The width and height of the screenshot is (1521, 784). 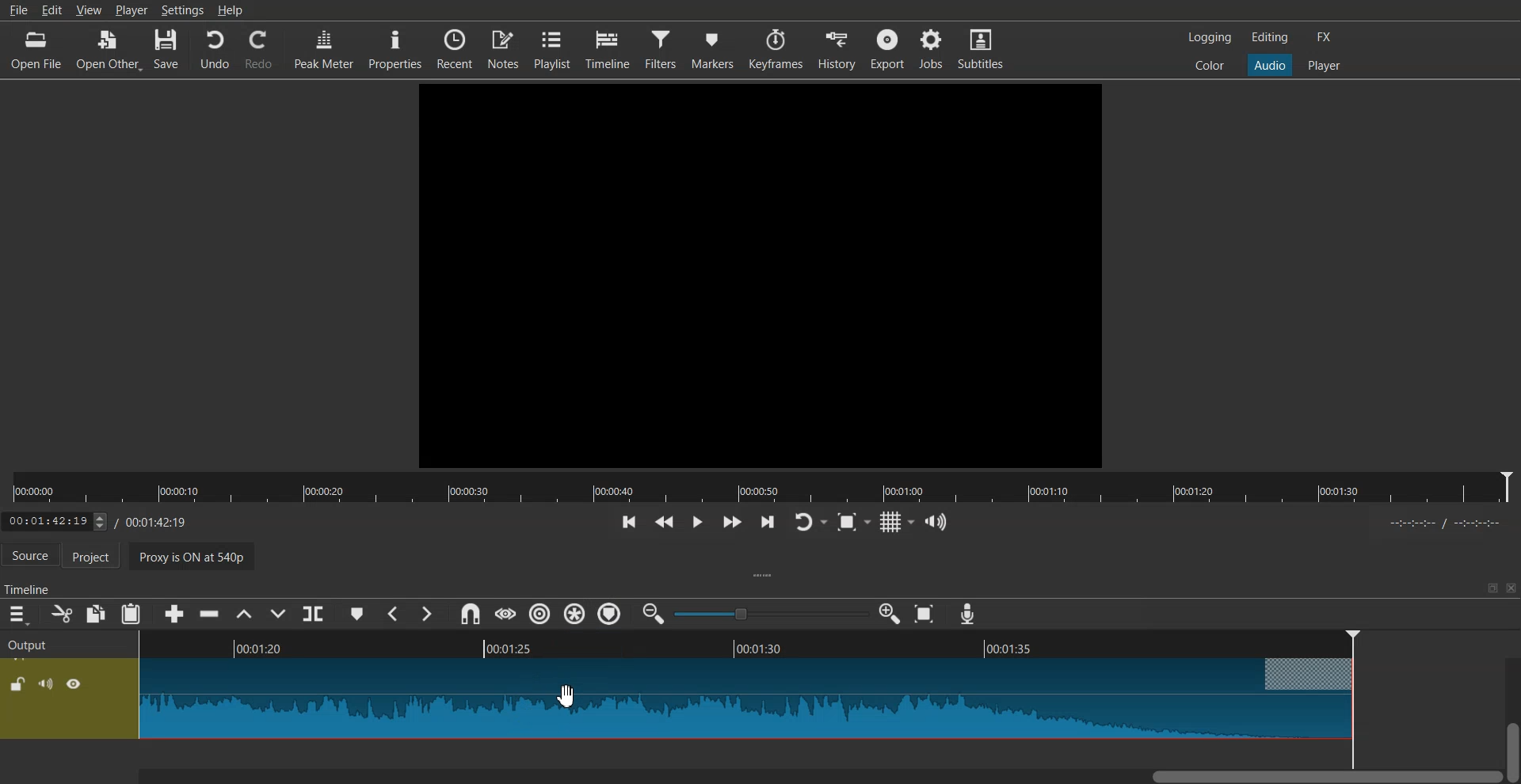 What do you see at coordinates (760, 487) in the screenshot?
I see `Audio file slider` at bounding box center [760, 487].